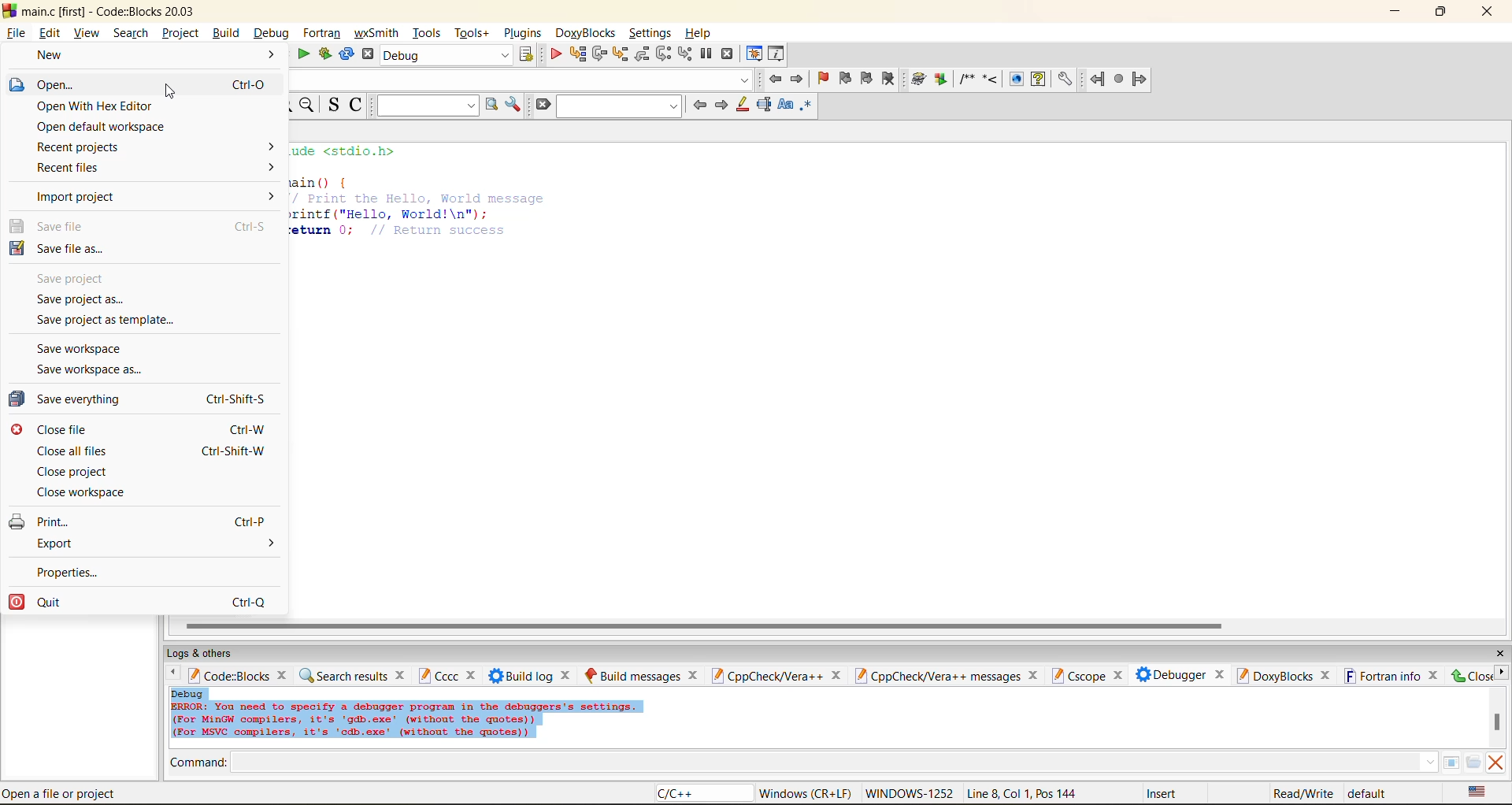 The image size is (1512, 805). What do you see at coordinates (702, 794) in the screenshot?
I see `language` at bounding box center [702, 794].